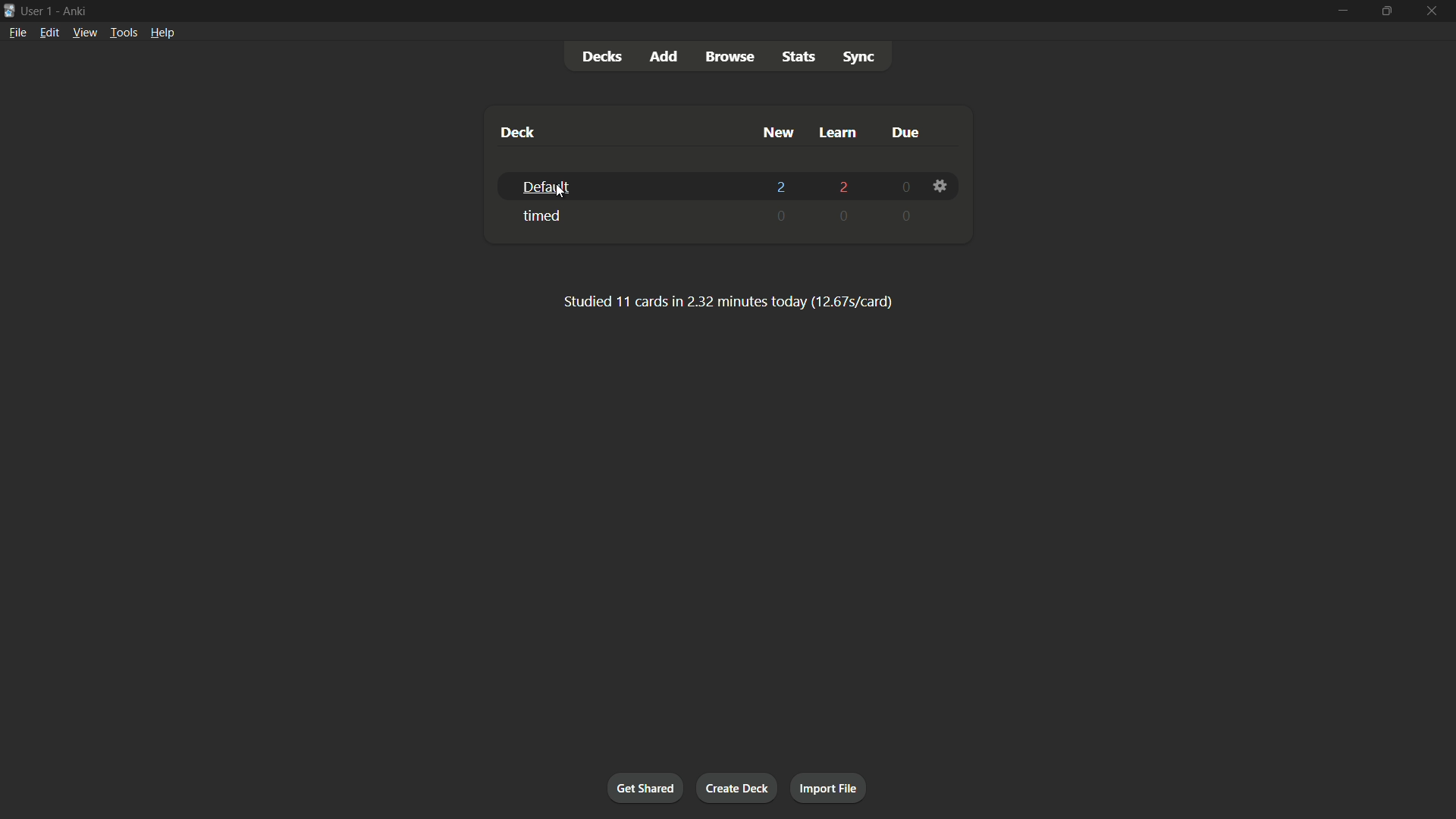 This screenshot has width=1456, height=819. Describe the element at coordinates (644, 788) in the screenshot. I see `get shared` at that location.